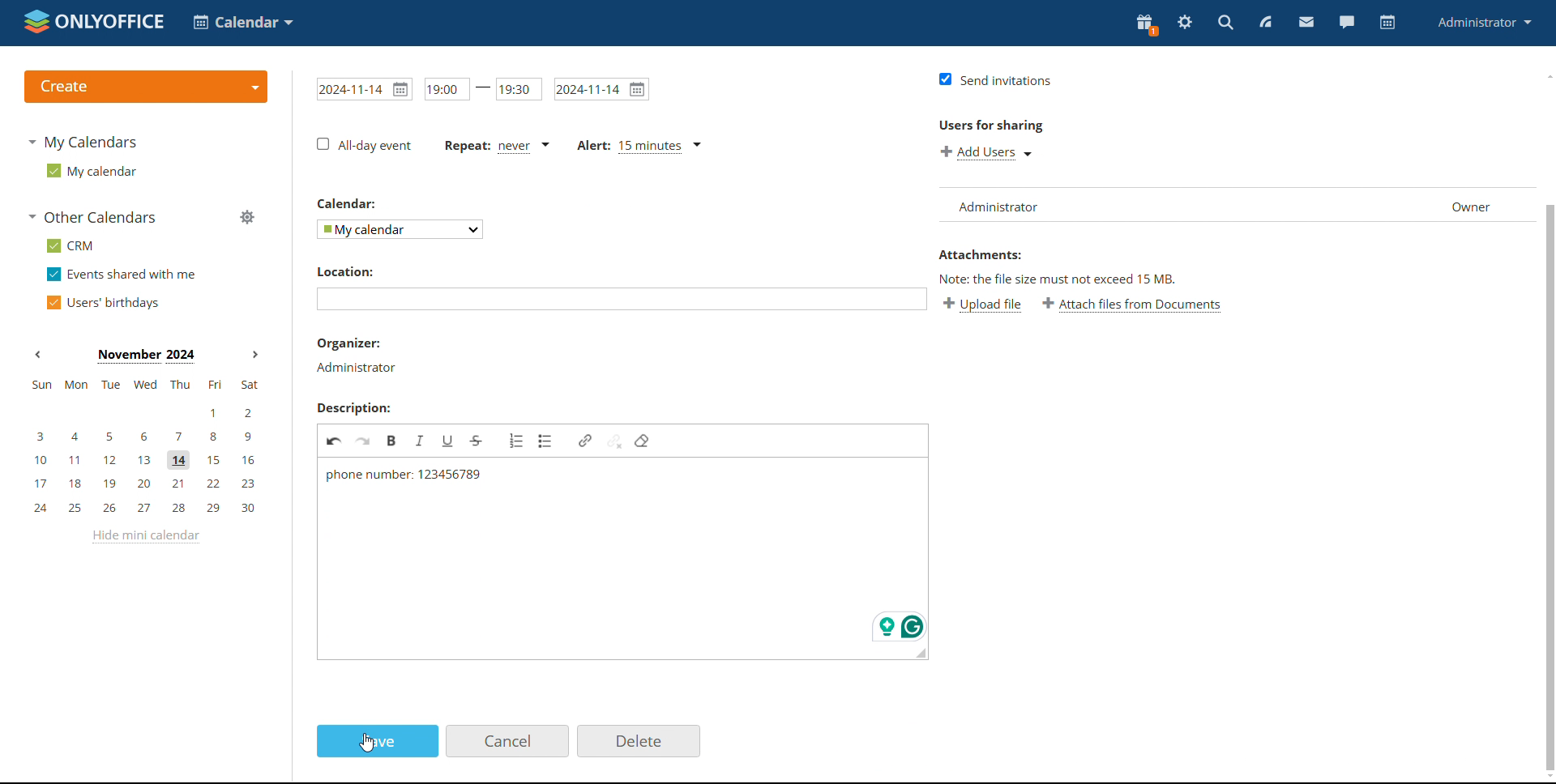 The width and height of the screenshot is (1556, 784). I want to click on calendar, so click(346, 200).